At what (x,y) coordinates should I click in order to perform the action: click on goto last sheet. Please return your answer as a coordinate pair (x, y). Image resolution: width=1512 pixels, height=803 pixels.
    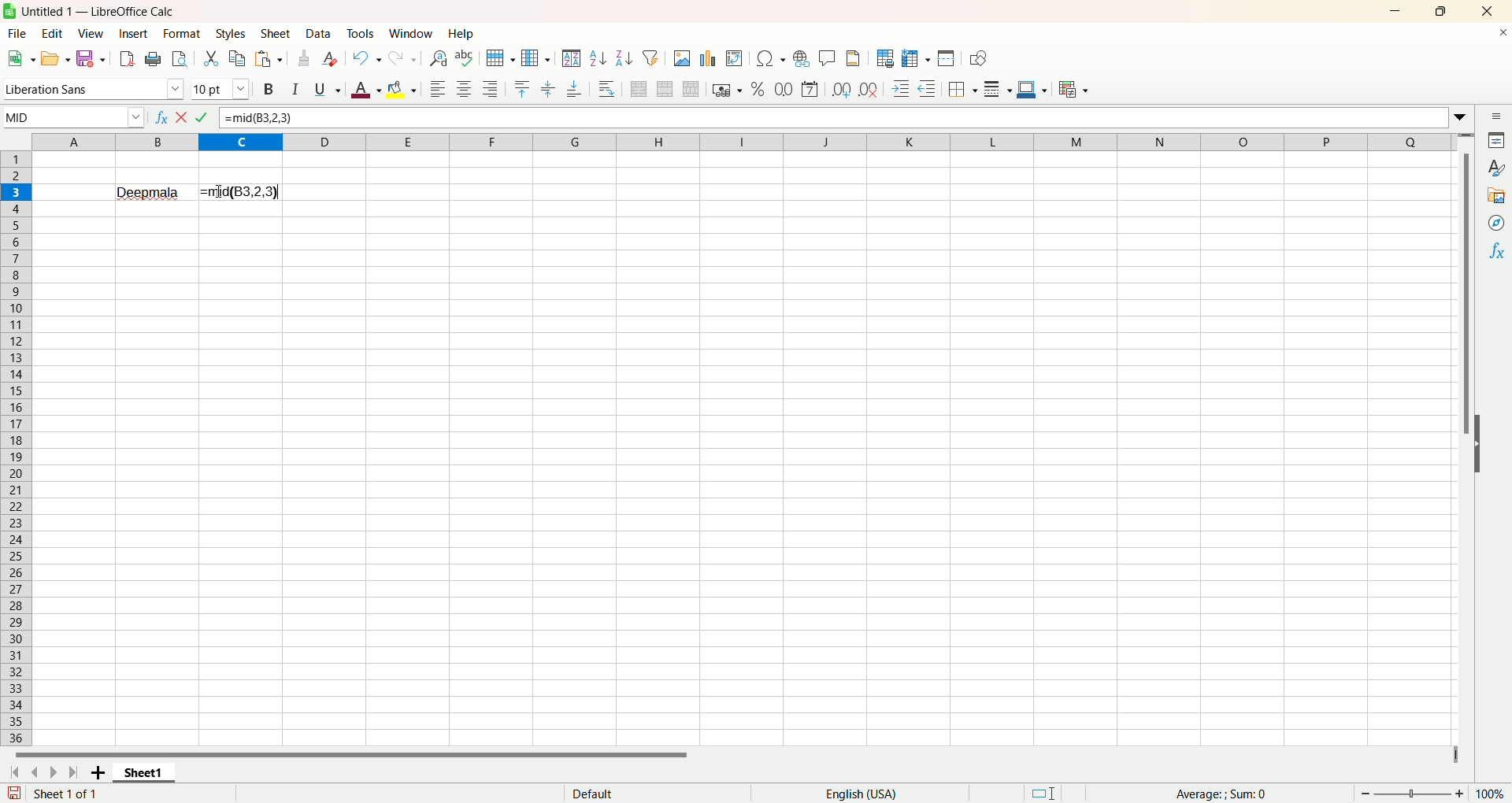
    Looking at the image, I should click on (71, 772).